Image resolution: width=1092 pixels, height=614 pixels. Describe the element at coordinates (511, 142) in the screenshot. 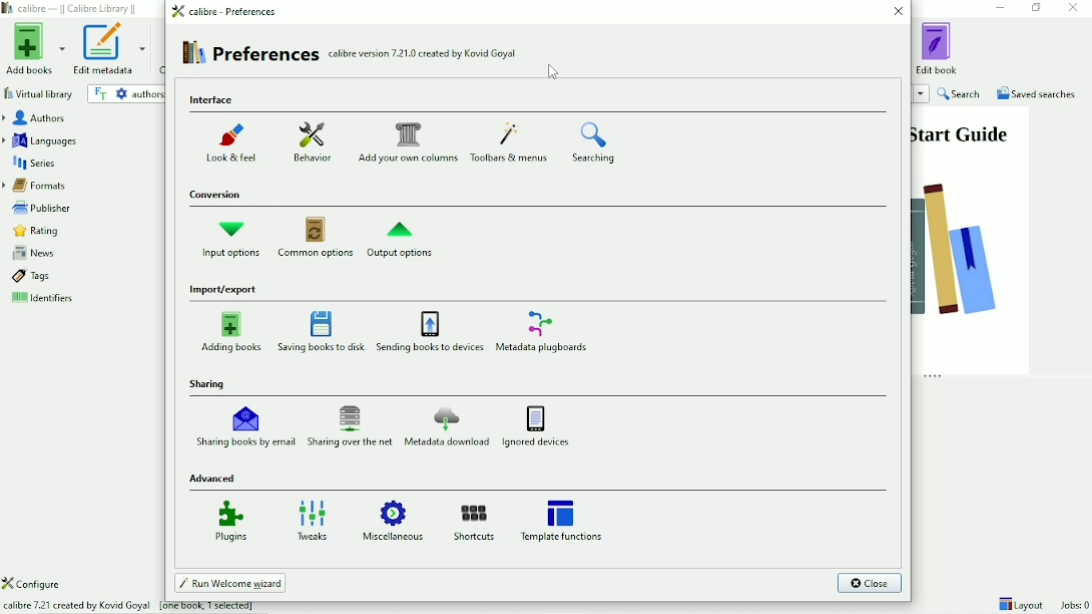

I see `Toolbars & menus` at that location.